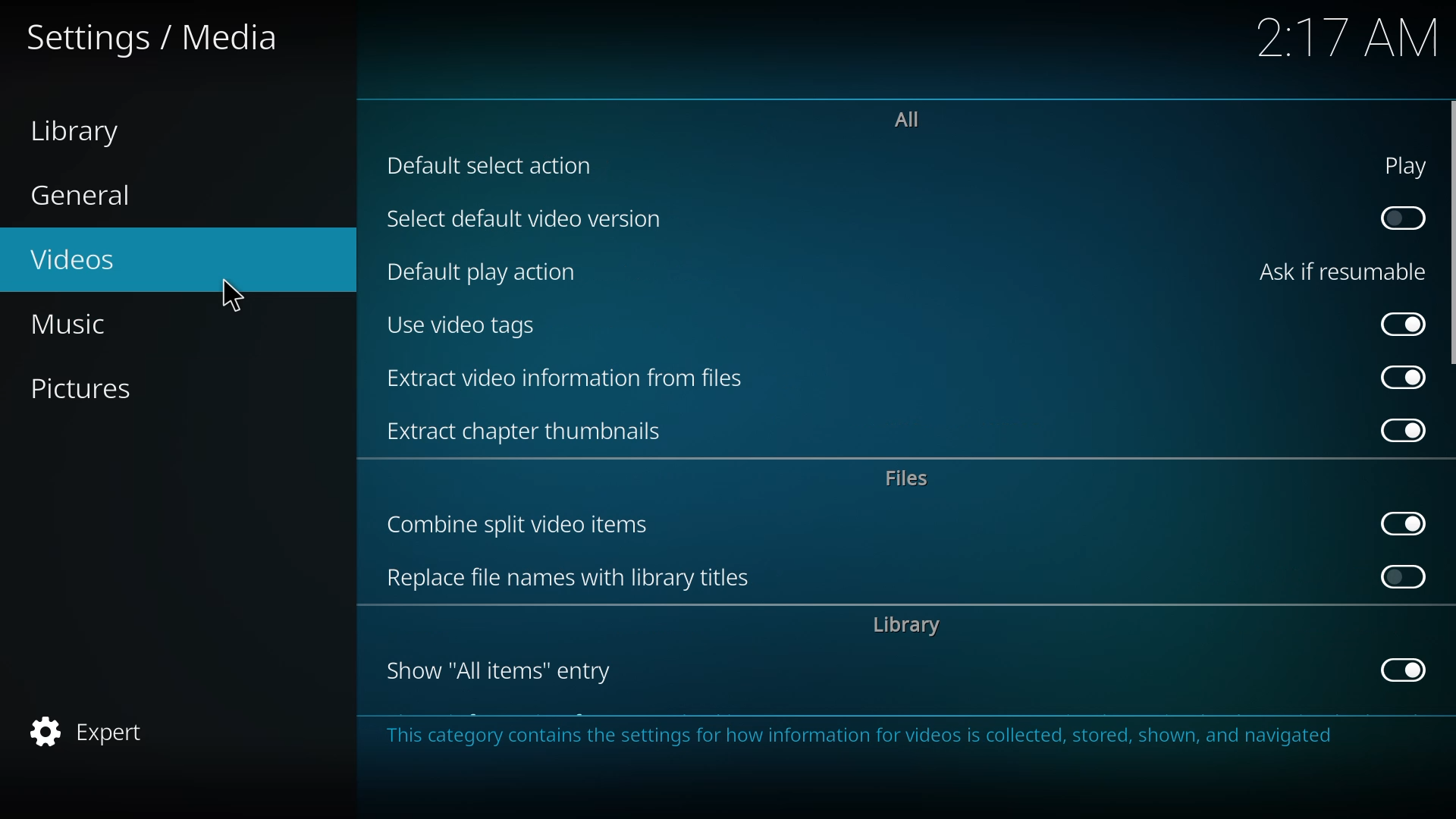 The width and height of the screenshot is (1456, 819). I want to click on files, so click(912, 479).